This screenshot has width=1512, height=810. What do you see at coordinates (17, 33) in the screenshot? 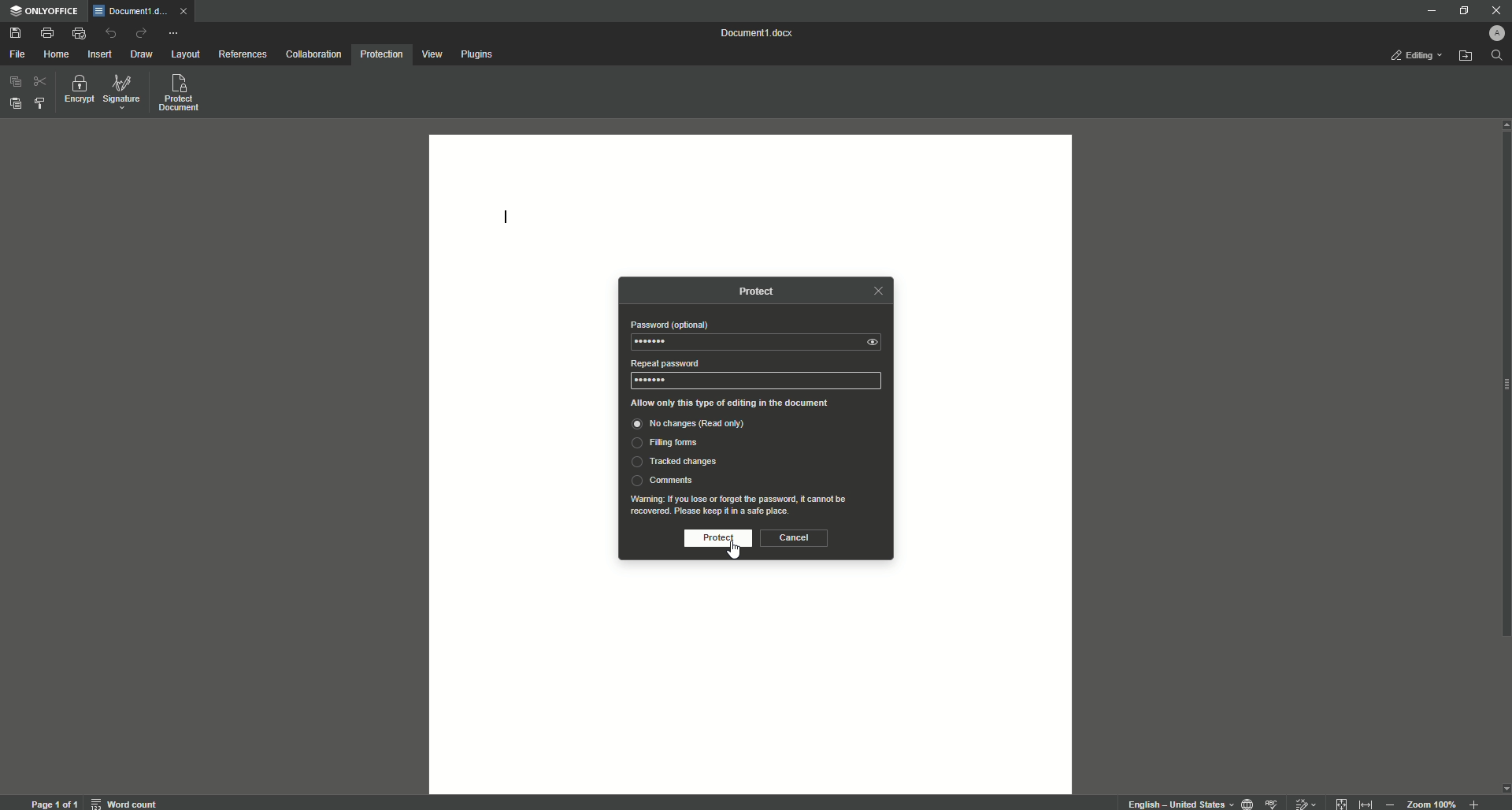
I see `Save` at bounding box center [17, 33].